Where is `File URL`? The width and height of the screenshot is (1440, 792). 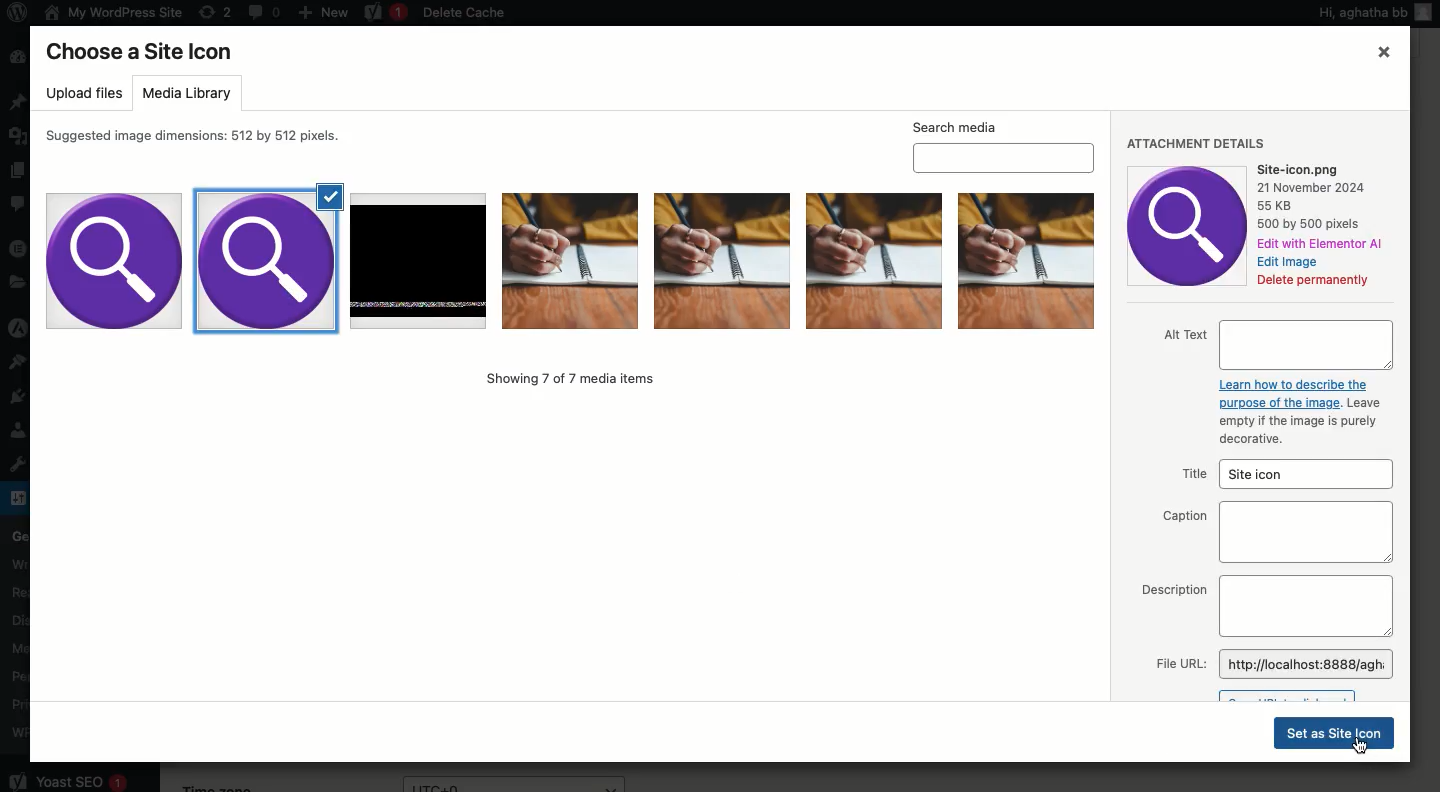
File URL is located at coordinates (1178, 664).